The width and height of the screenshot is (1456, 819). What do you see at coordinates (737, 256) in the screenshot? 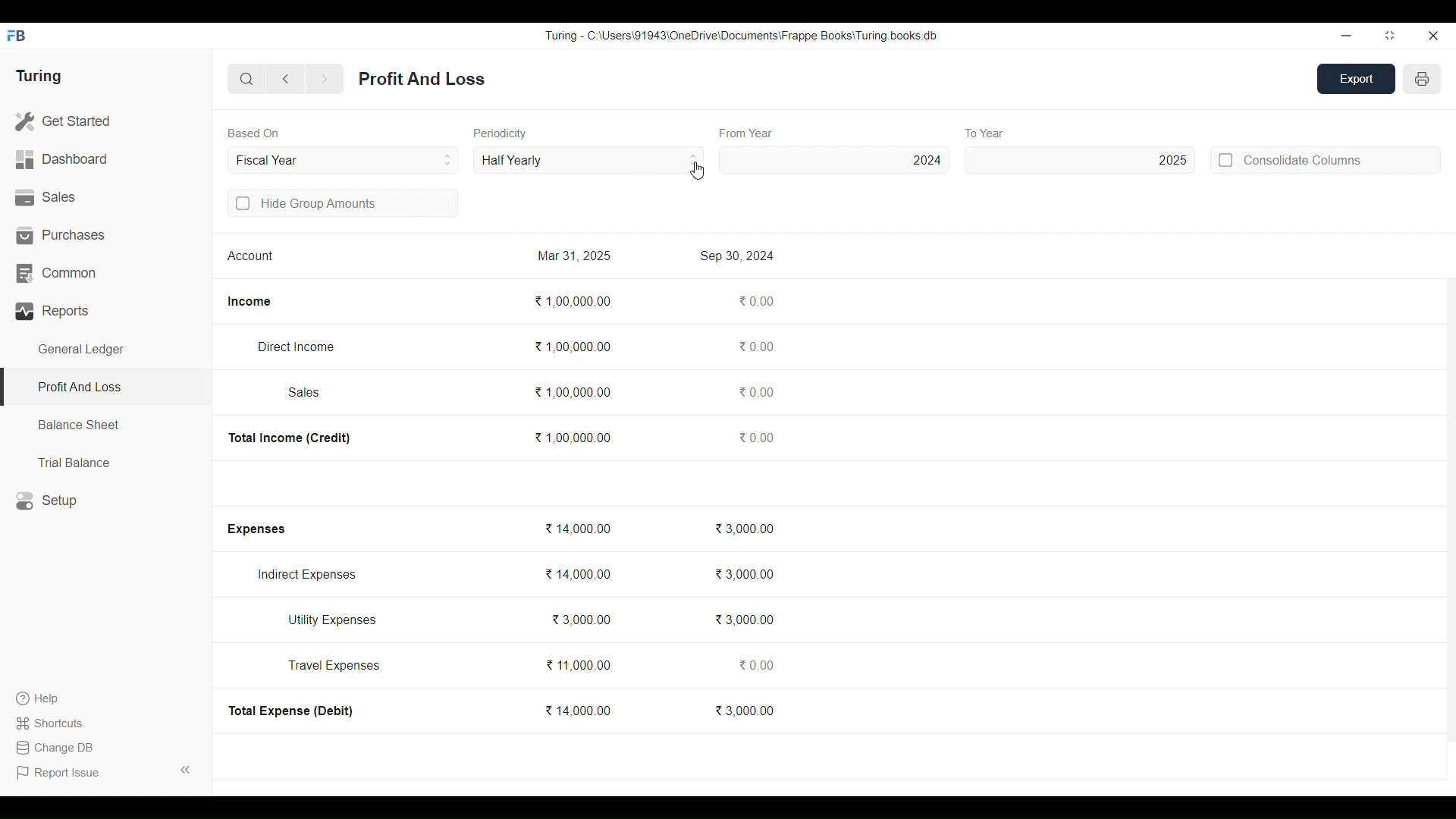
I see `Sep 30, 2024` at bounding box center [737, 256].